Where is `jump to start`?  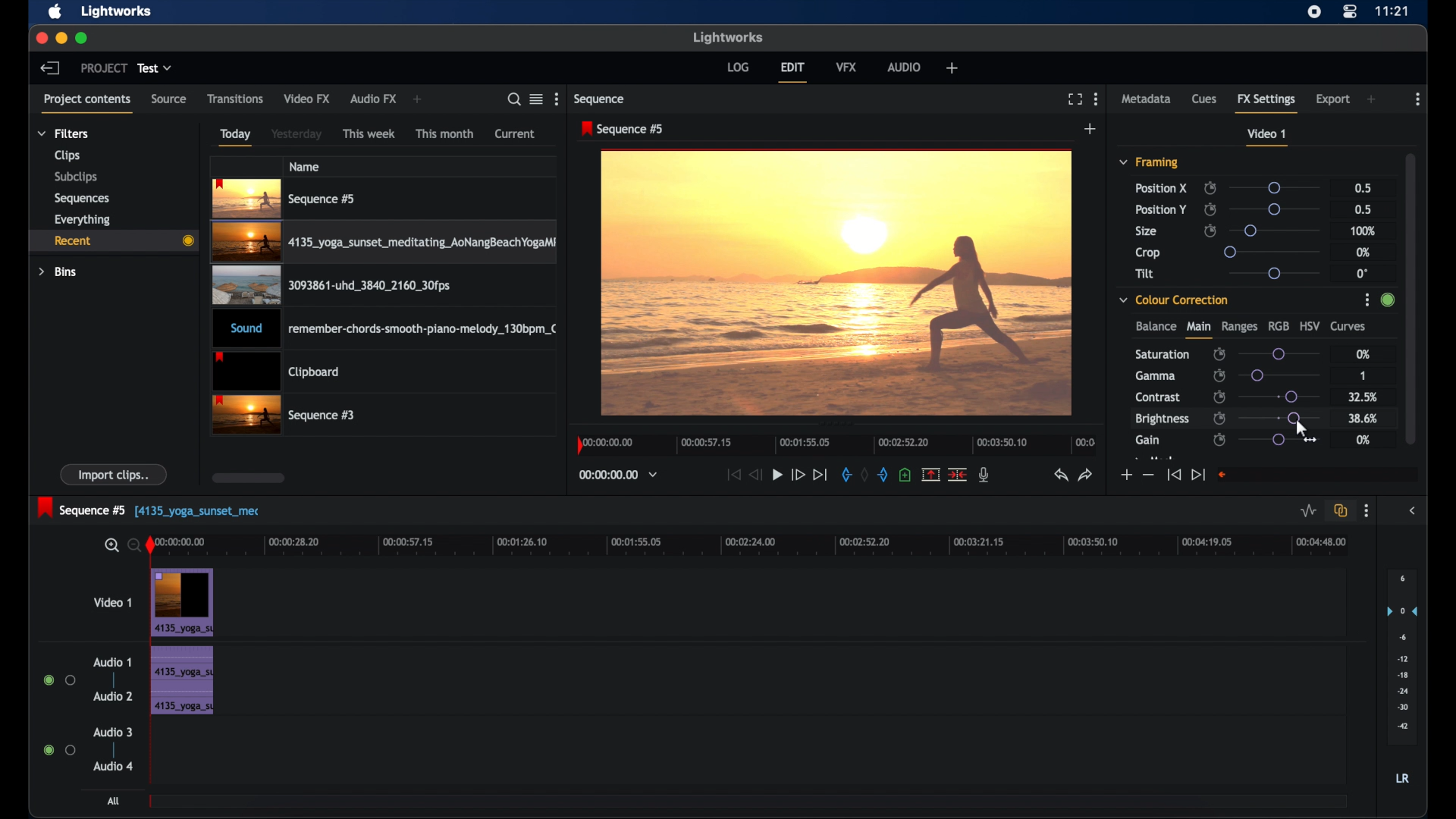 jump to start is located at coordinates (1173, 474).